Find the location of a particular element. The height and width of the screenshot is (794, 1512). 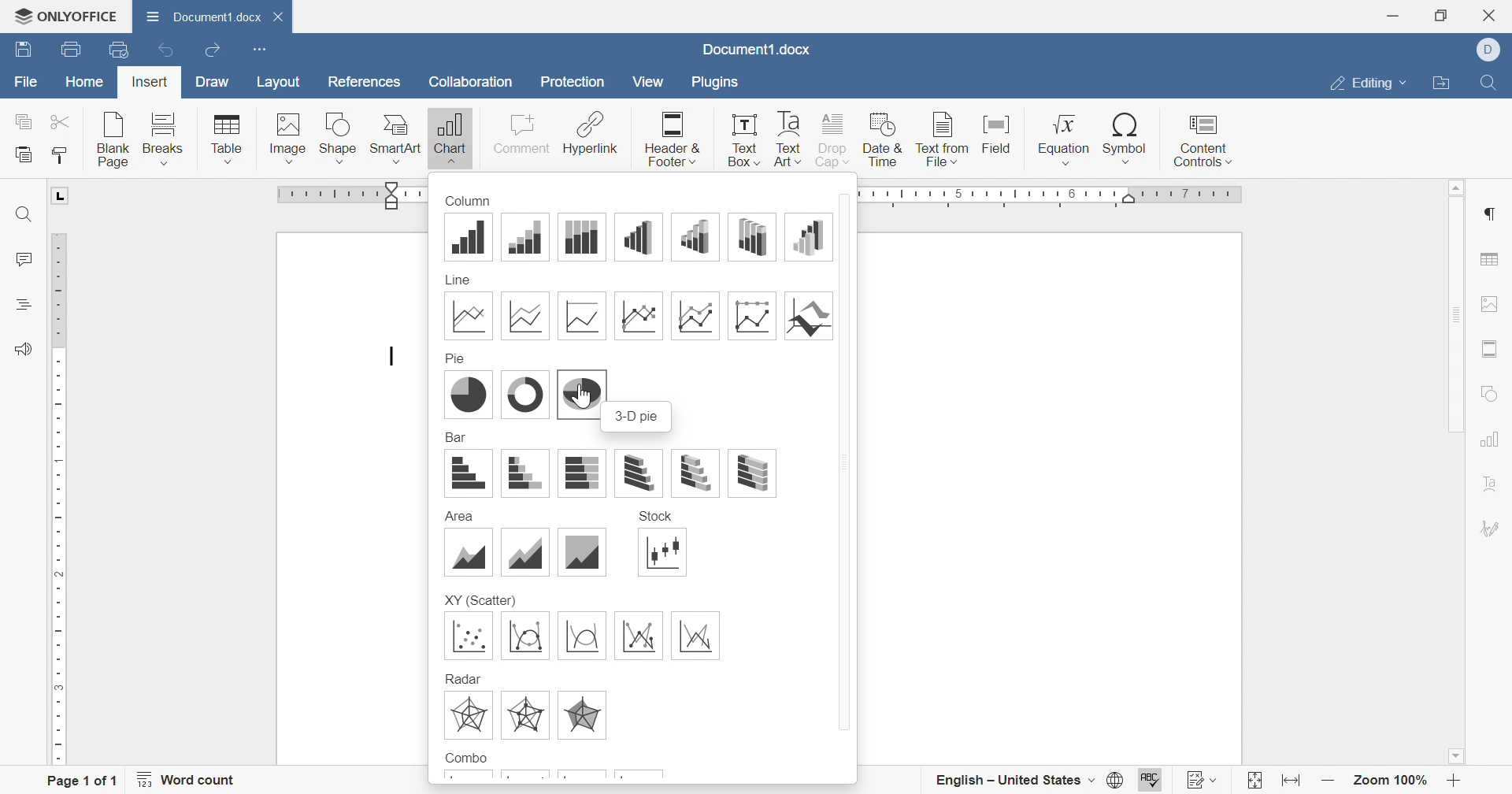

Layout is located at coordinates (278, 81).